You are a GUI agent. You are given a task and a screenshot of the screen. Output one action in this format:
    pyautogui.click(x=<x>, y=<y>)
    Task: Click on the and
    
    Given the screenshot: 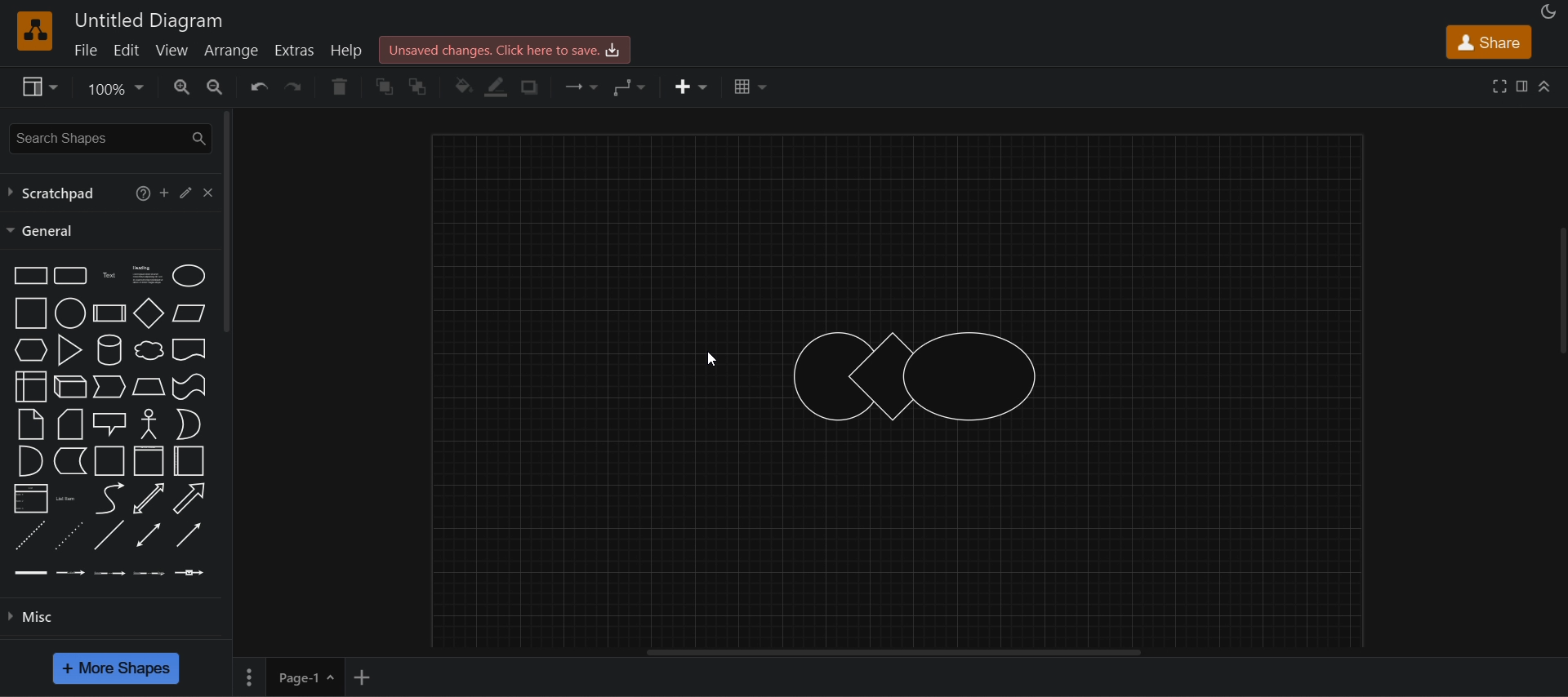 What is the action you would take?
    pyautogui.click(x=29, y=461)
    